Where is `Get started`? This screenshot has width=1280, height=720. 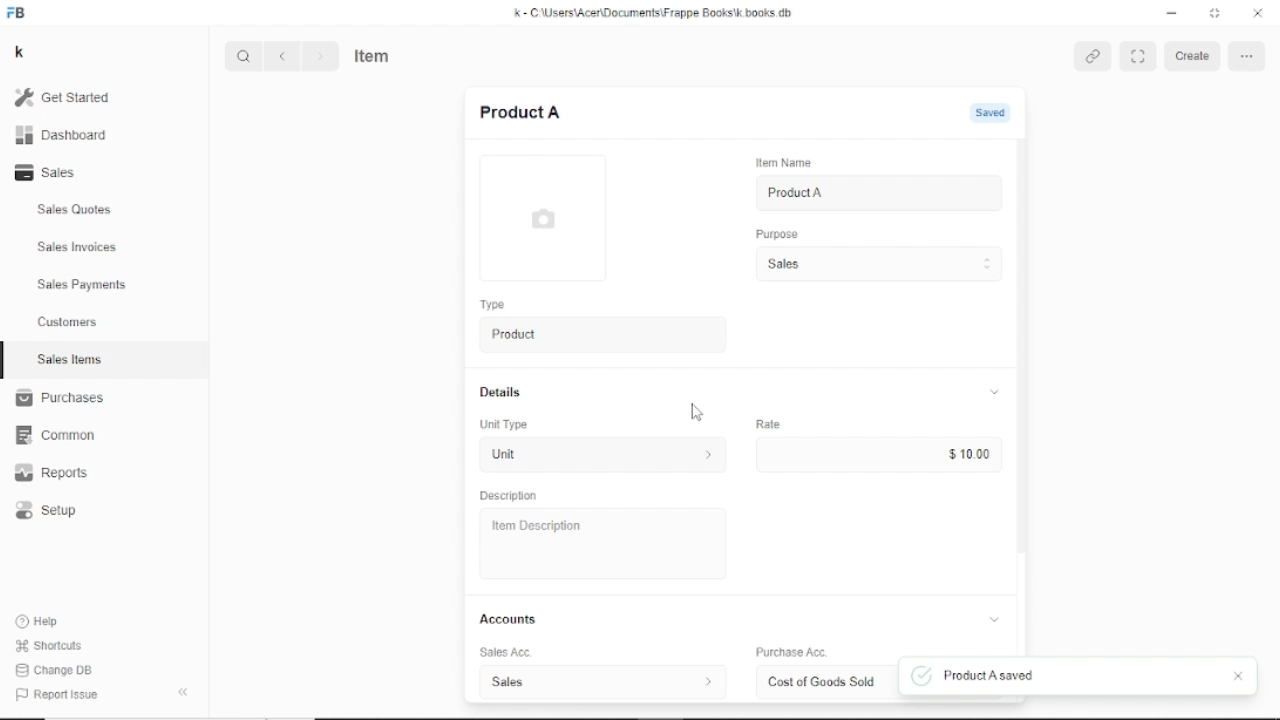
Get started is located at coordinates (71, 97).